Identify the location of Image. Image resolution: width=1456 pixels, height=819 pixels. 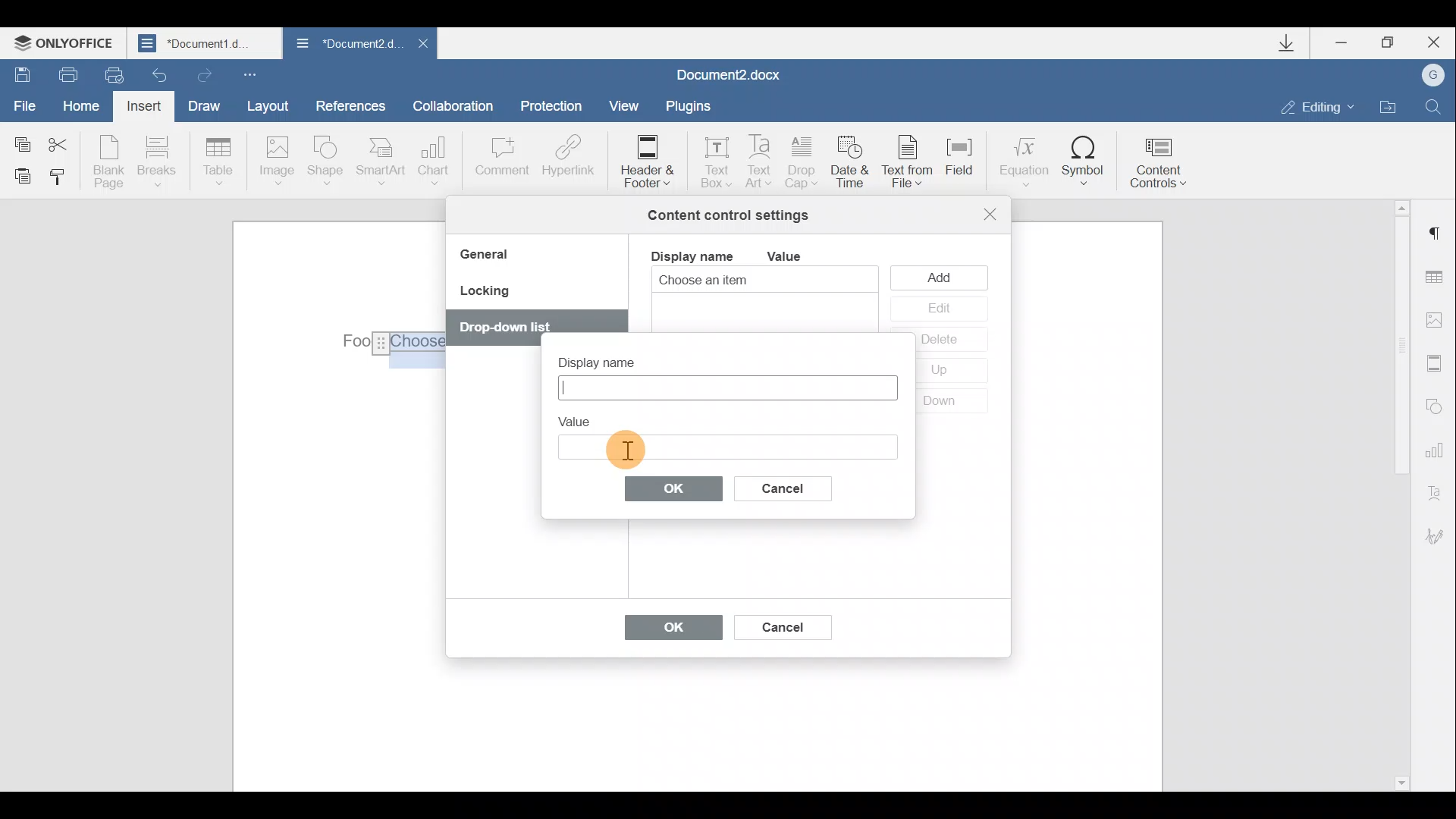
(276, 162).